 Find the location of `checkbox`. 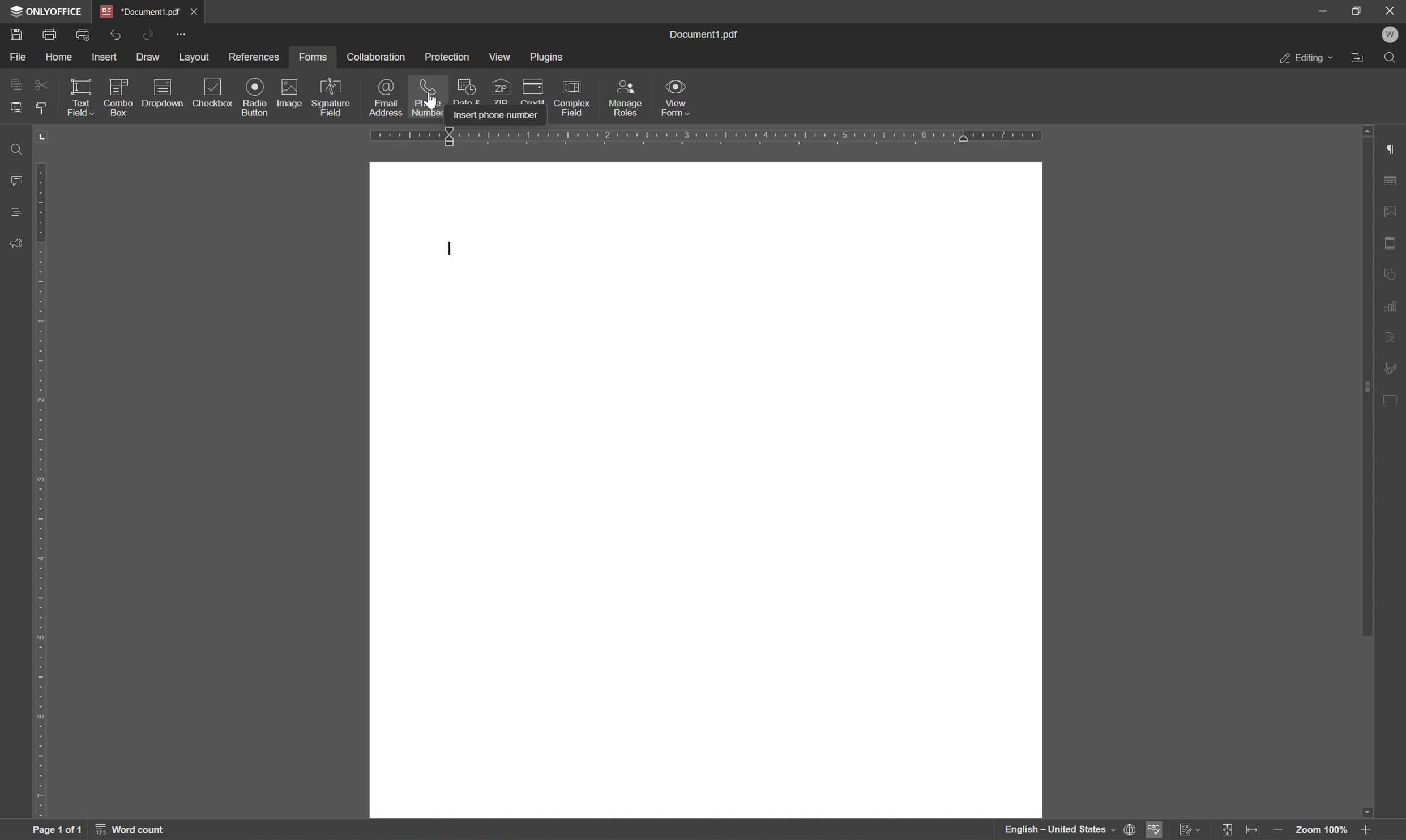

checkbox is located at coordinates (119, 95).